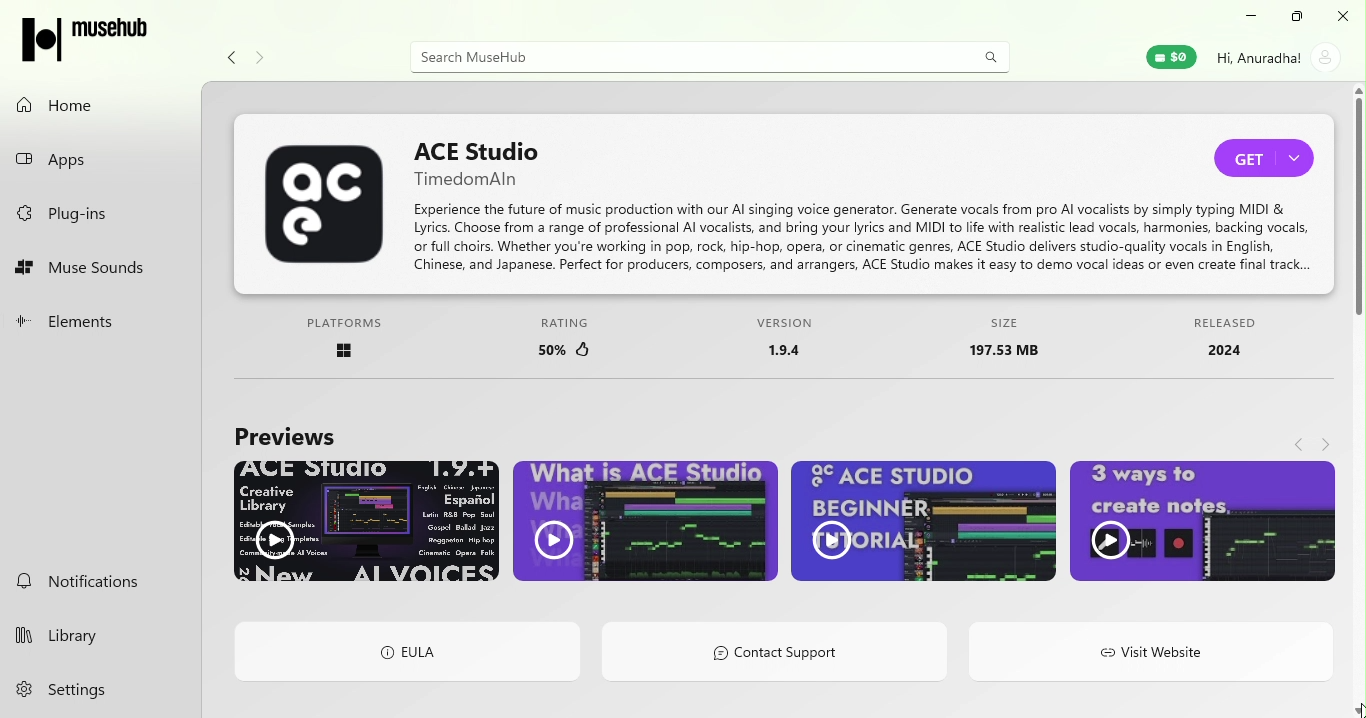  What do you see at coordinates (1167, 56) in the screenshot?
I see `muse wallet` at bounding box center [1167, 56].